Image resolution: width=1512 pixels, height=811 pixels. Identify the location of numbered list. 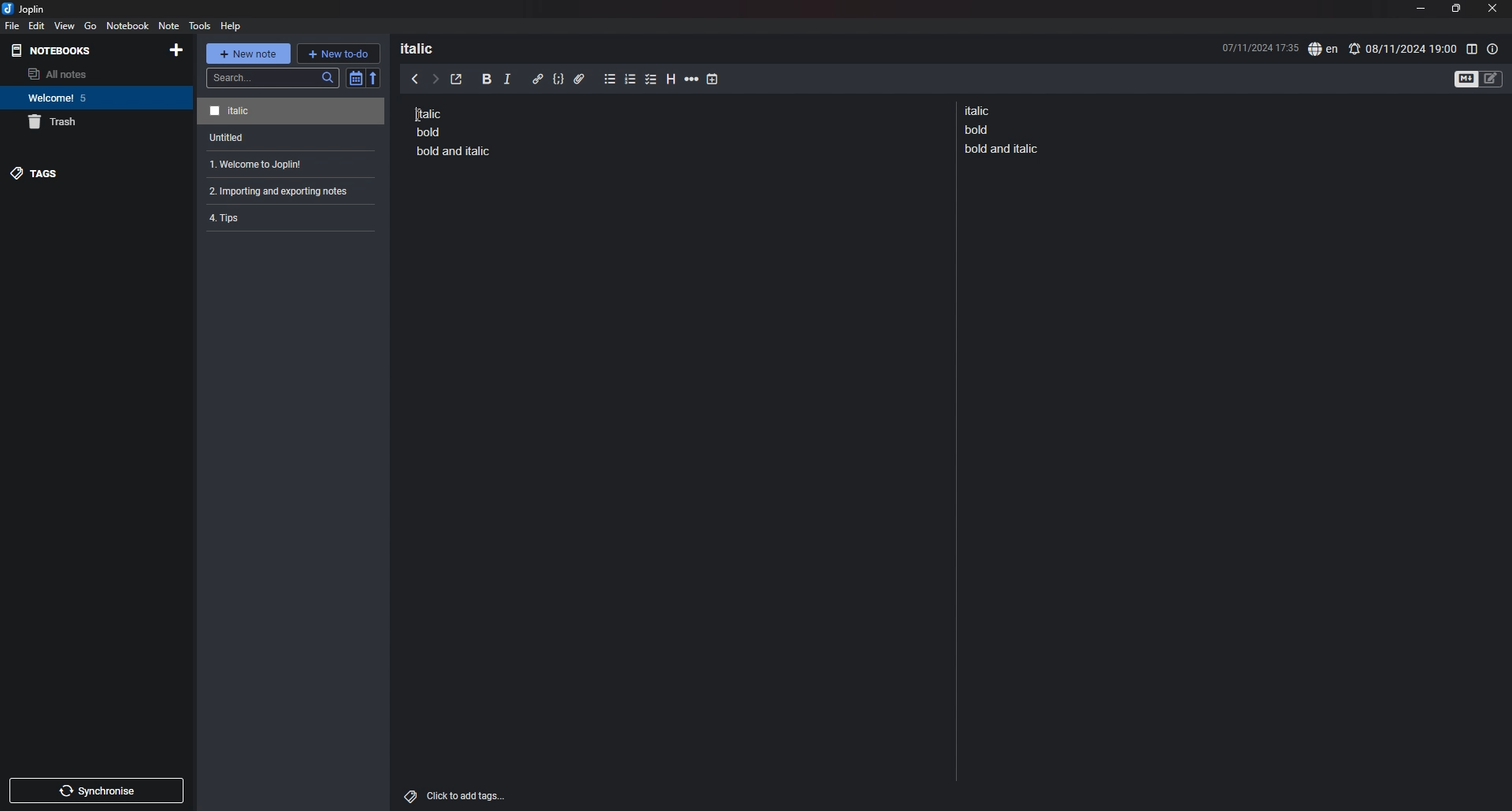
(631, 81).